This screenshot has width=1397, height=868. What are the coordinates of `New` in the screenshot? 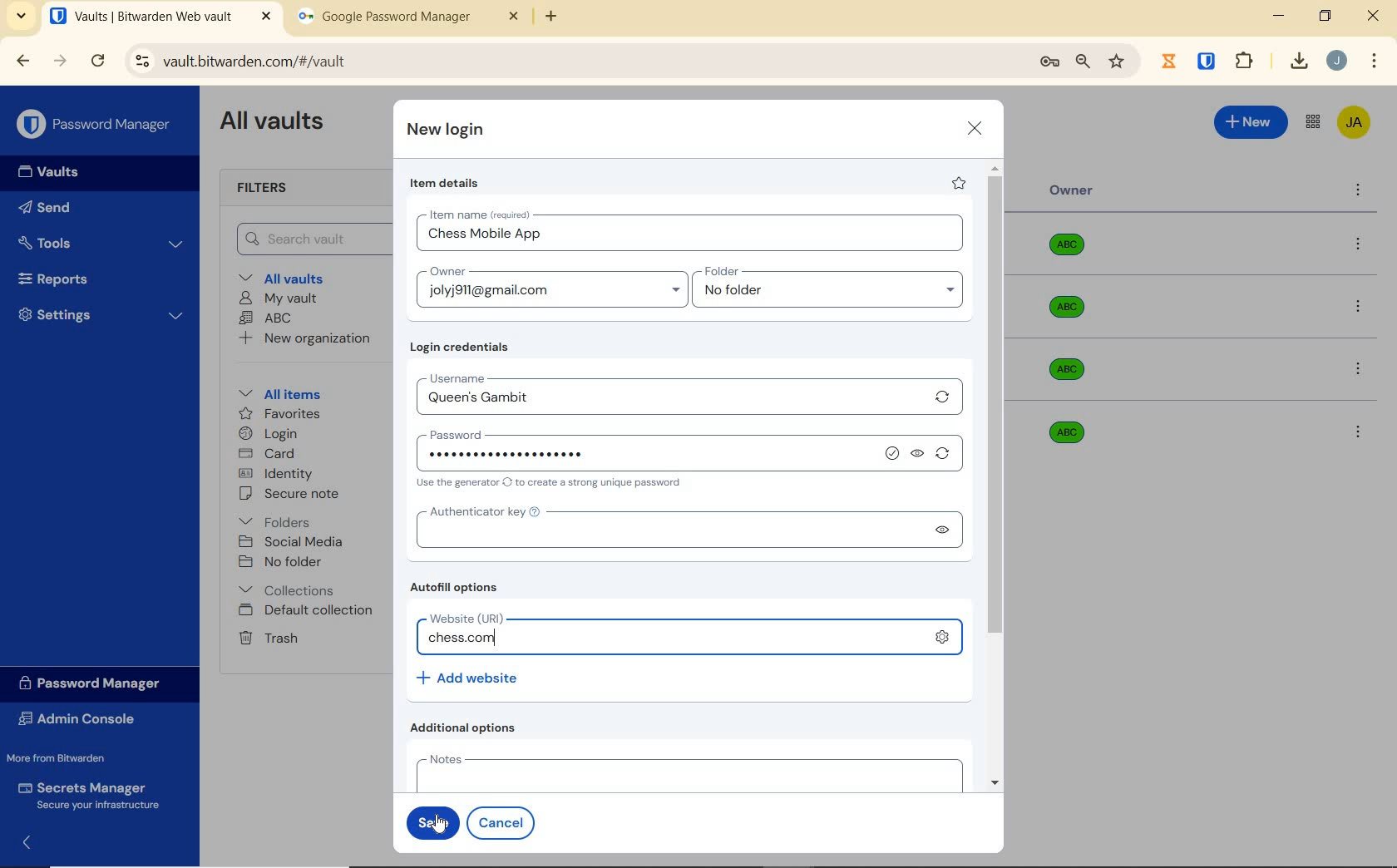 It's located at (1251, 120).